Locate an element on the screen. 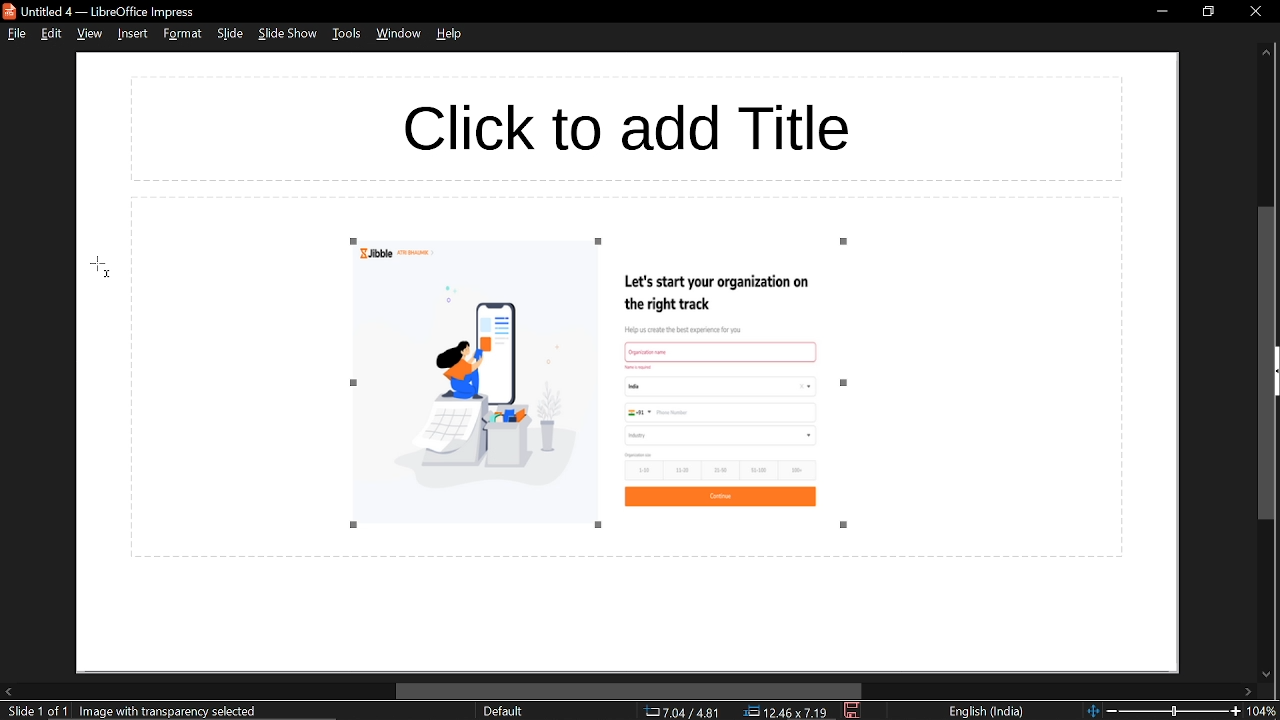  co-ordinate is located at coordinates (682, 712).